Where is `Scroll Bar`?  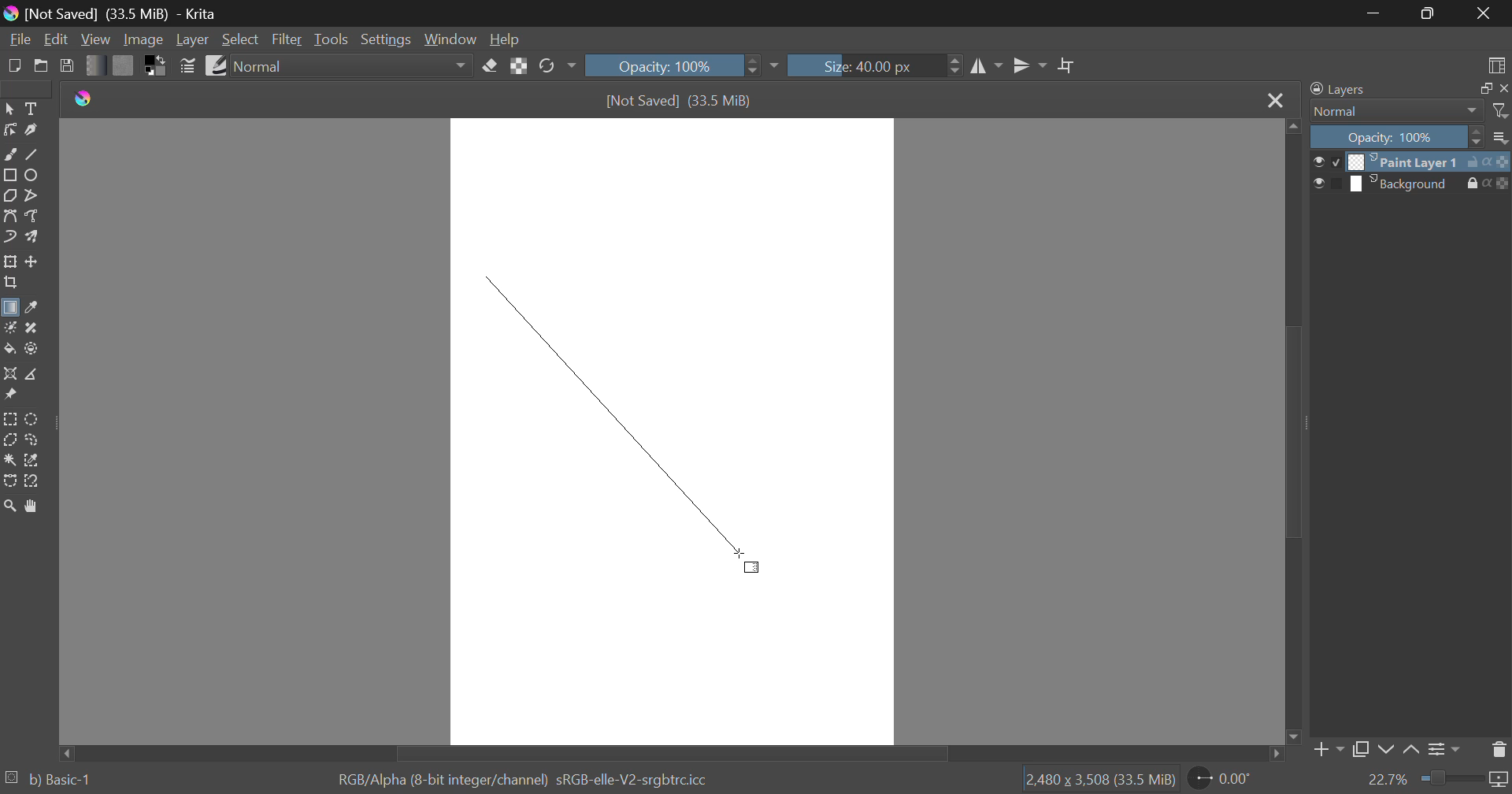 Scroll Bar is located at coordinates (1291, 433).